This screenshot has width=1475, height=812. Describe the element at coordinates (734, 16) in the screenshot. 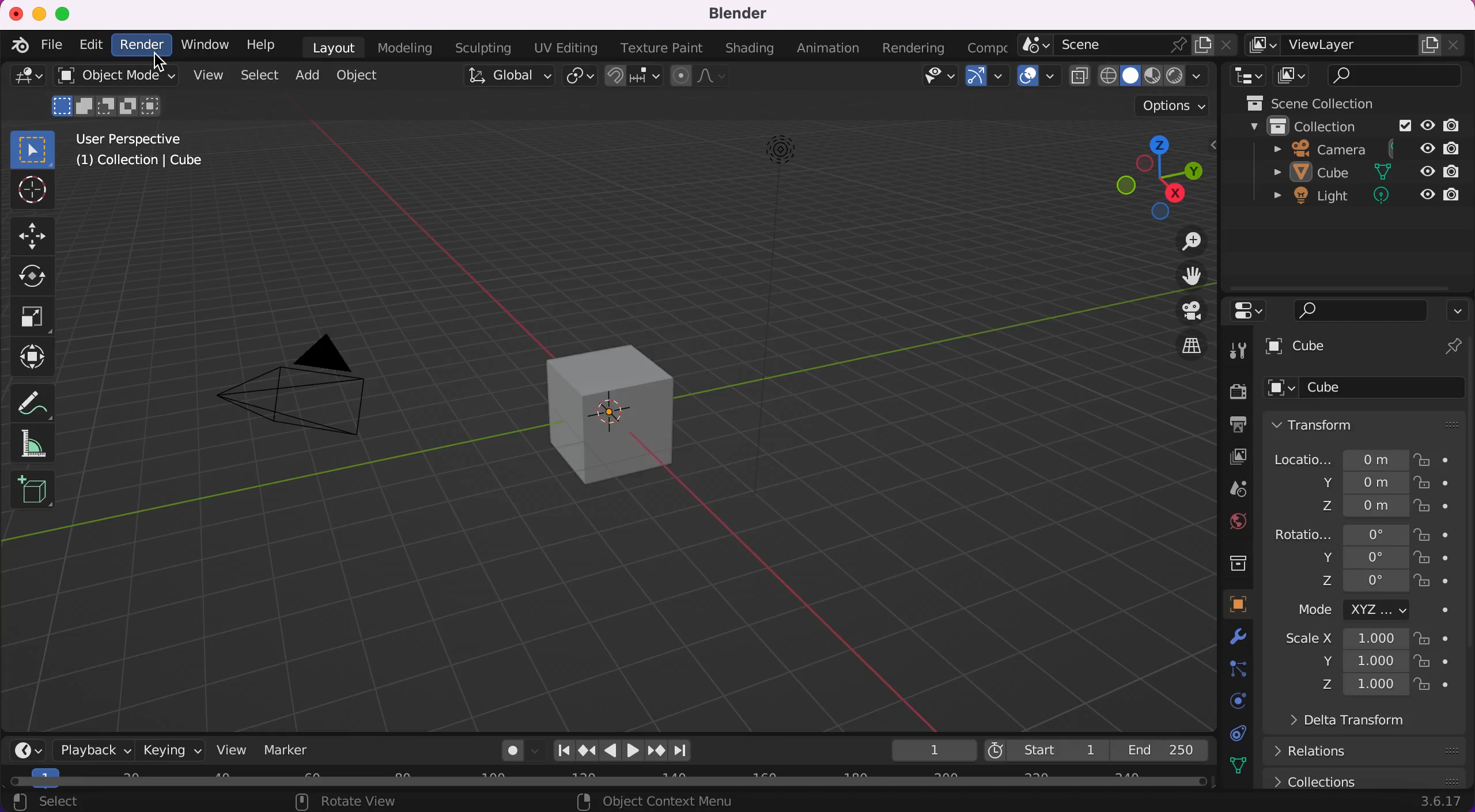

I see `blender` at that location.